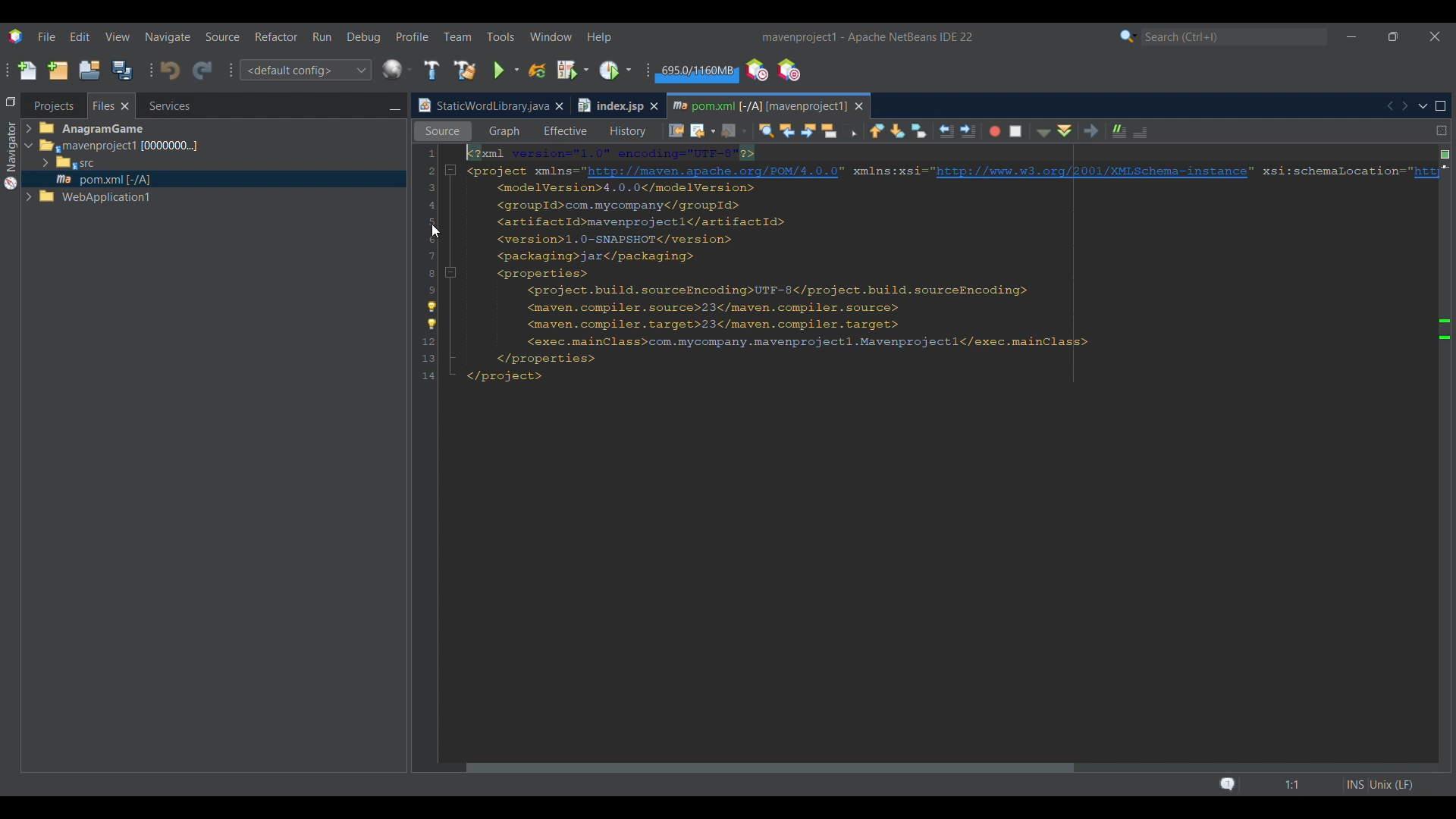 Image resolution: width=1456 pixels, height=819 pixels. What do you see at coordinates (551, 36) in the screenshot?
I see `Window menu` at bounding box center [551, 36].